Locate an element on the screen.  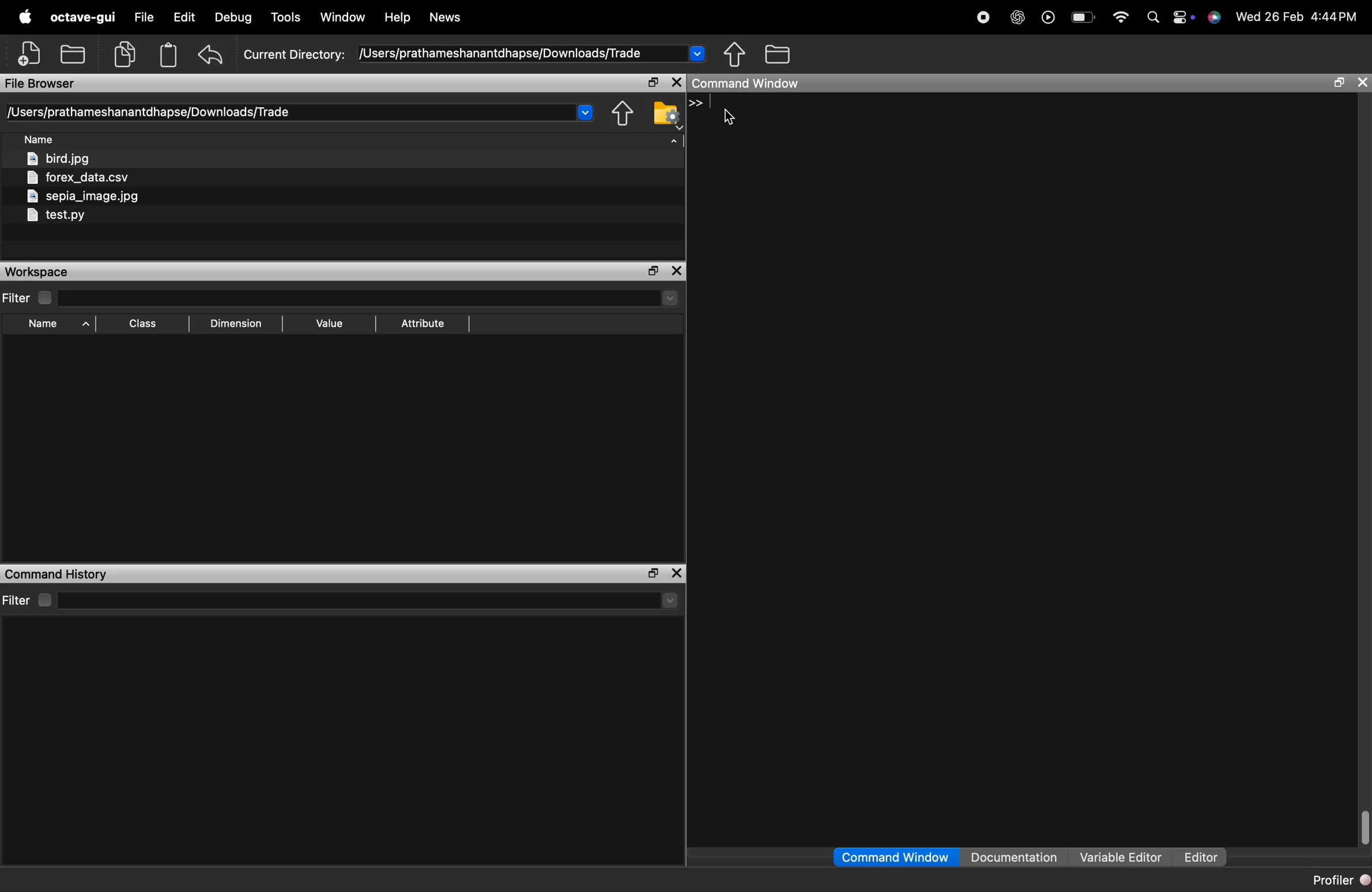
>> is located at coordinates (696, 103).